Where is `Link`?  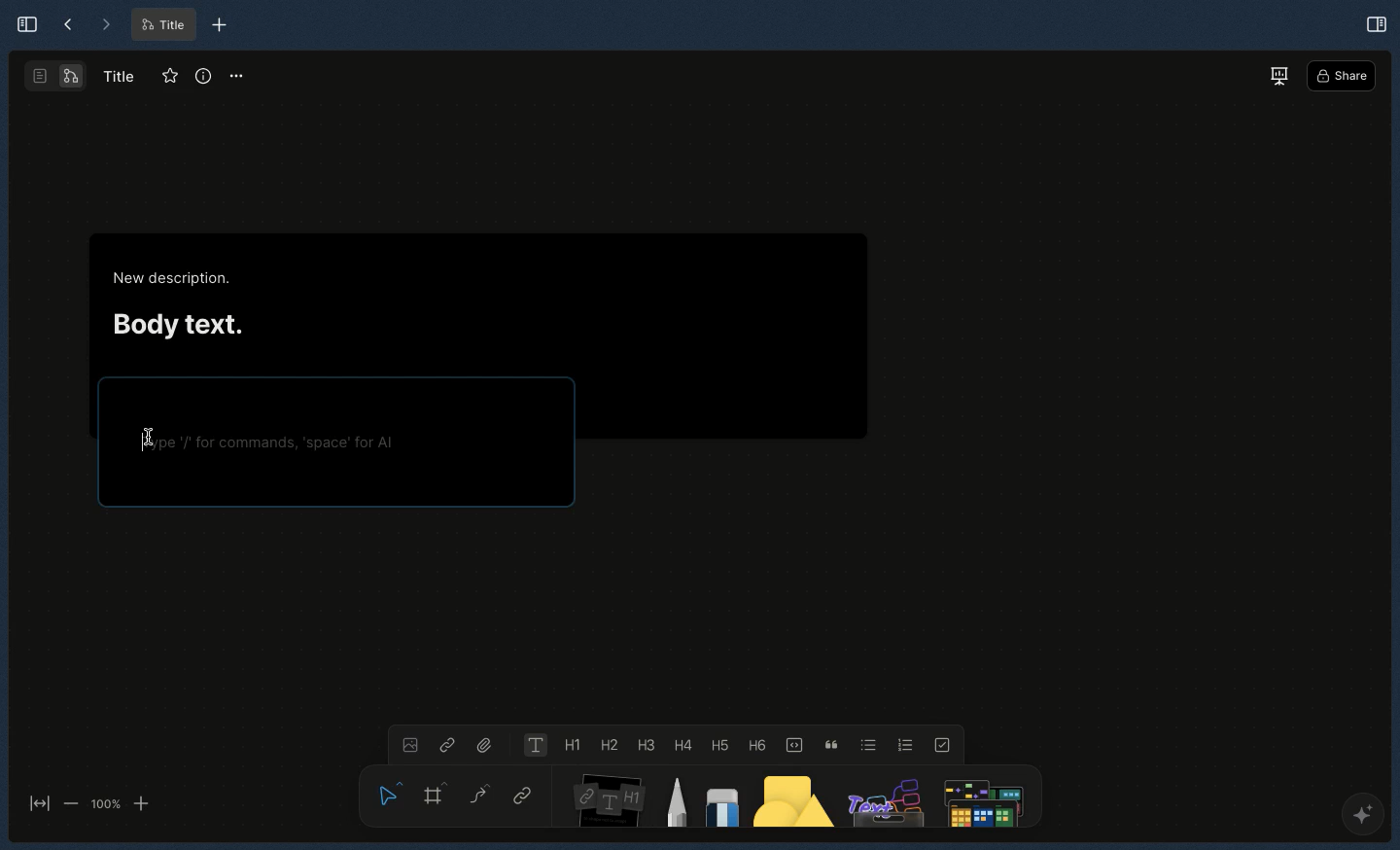 Link is located at coordinates (523, 797).